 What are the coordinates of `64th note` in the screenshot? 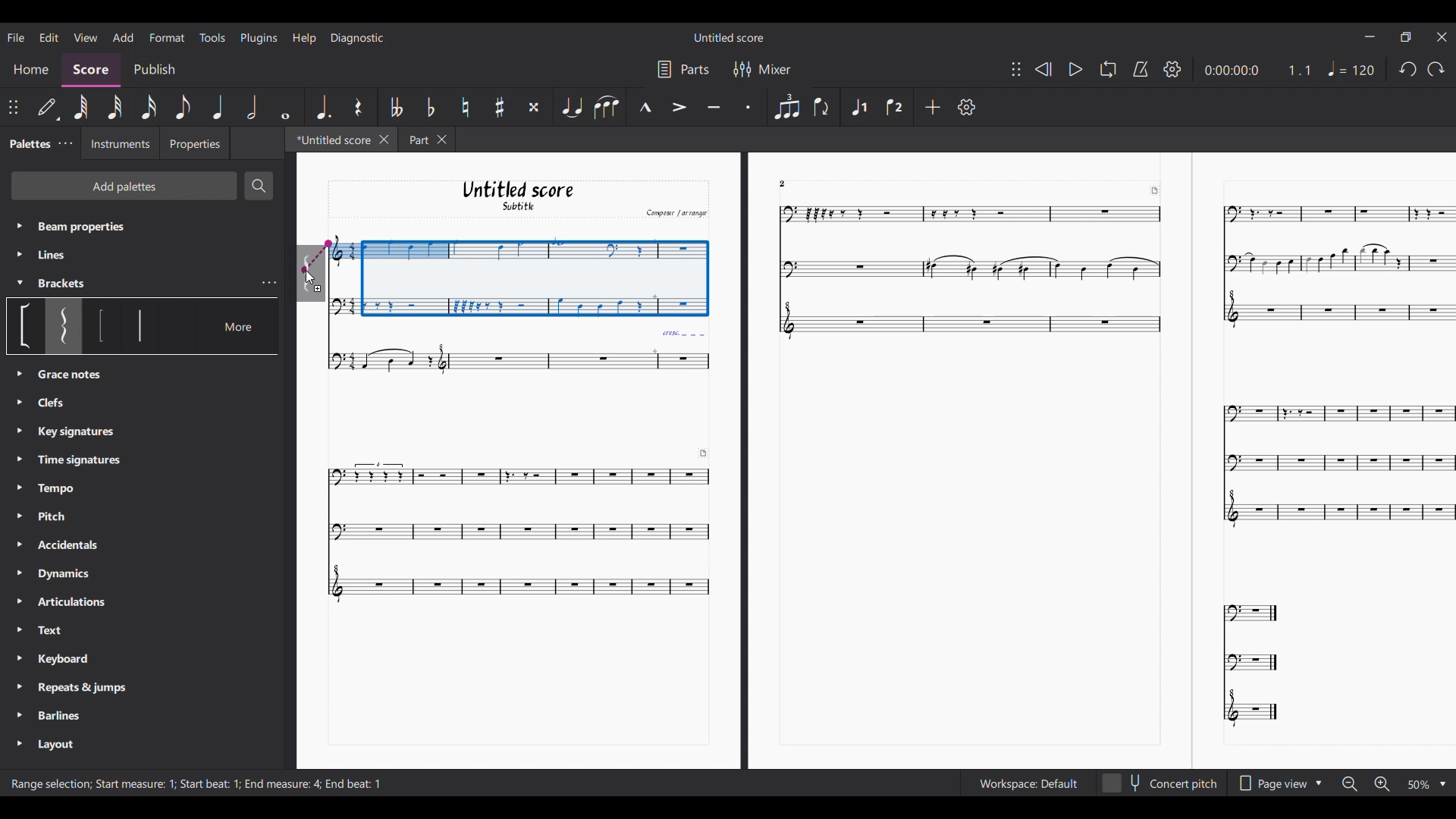 It's located at (83, 108).